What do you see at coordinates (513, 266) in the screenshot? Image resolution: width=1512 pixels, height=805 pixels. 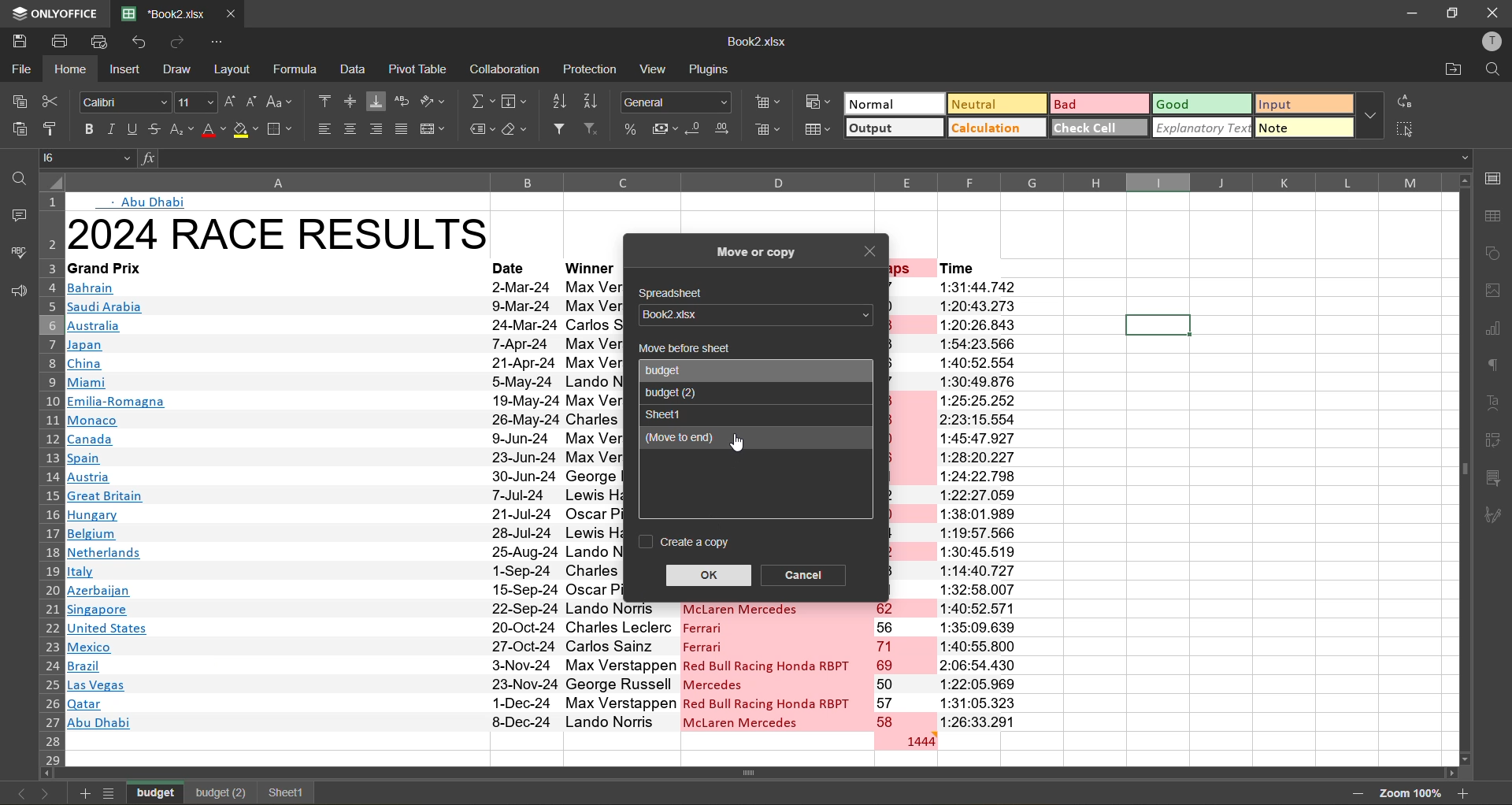 I see `date` at bounding box center [513, 266].